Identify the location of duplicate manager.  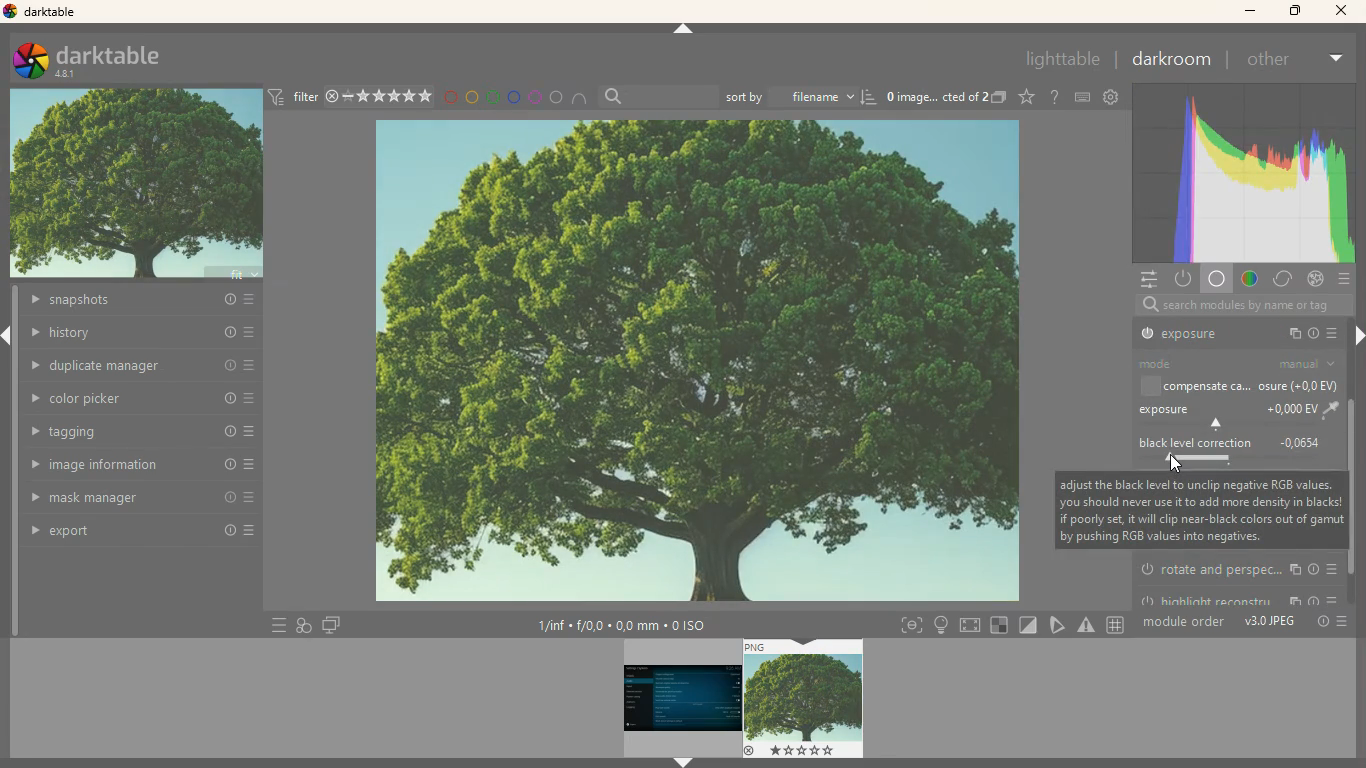
(137, 364).